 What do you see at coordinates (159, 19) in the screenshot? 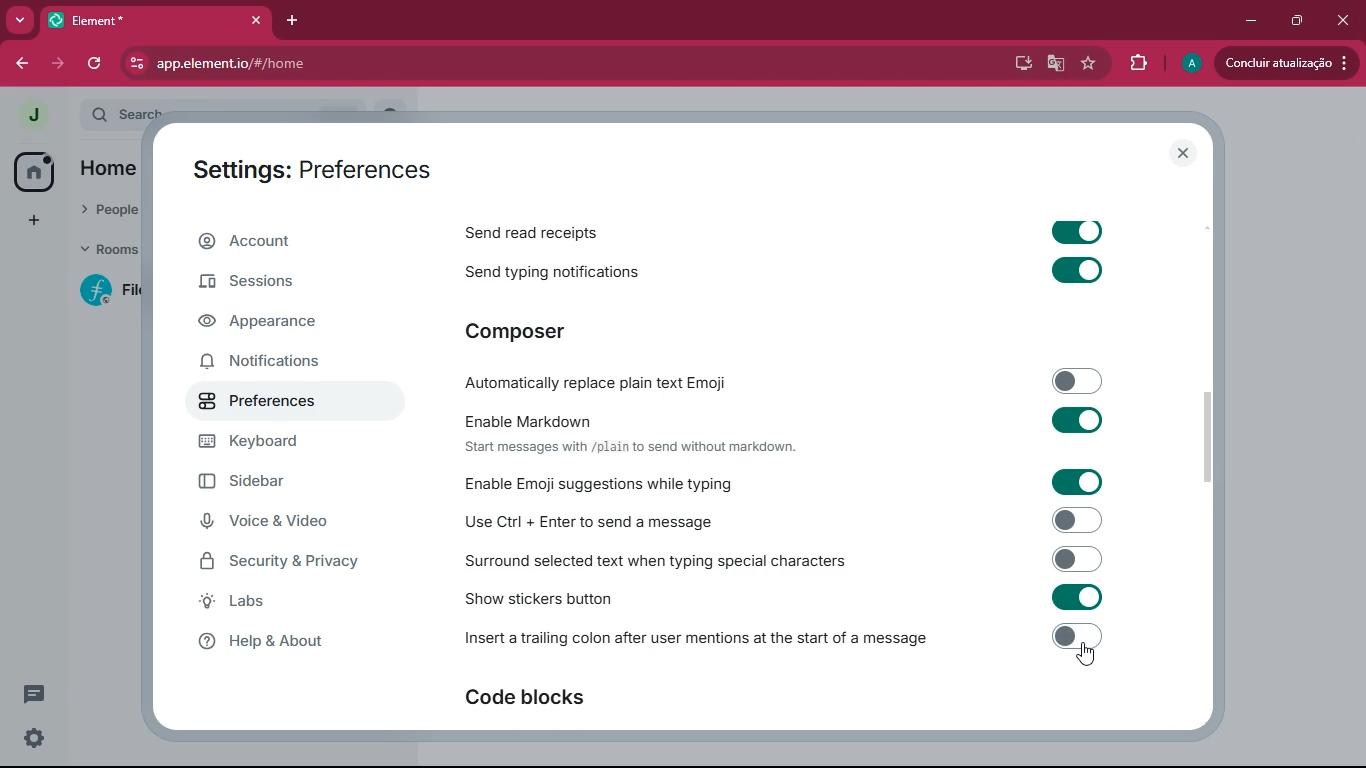
I see `element` at bounding box center [159, 19].